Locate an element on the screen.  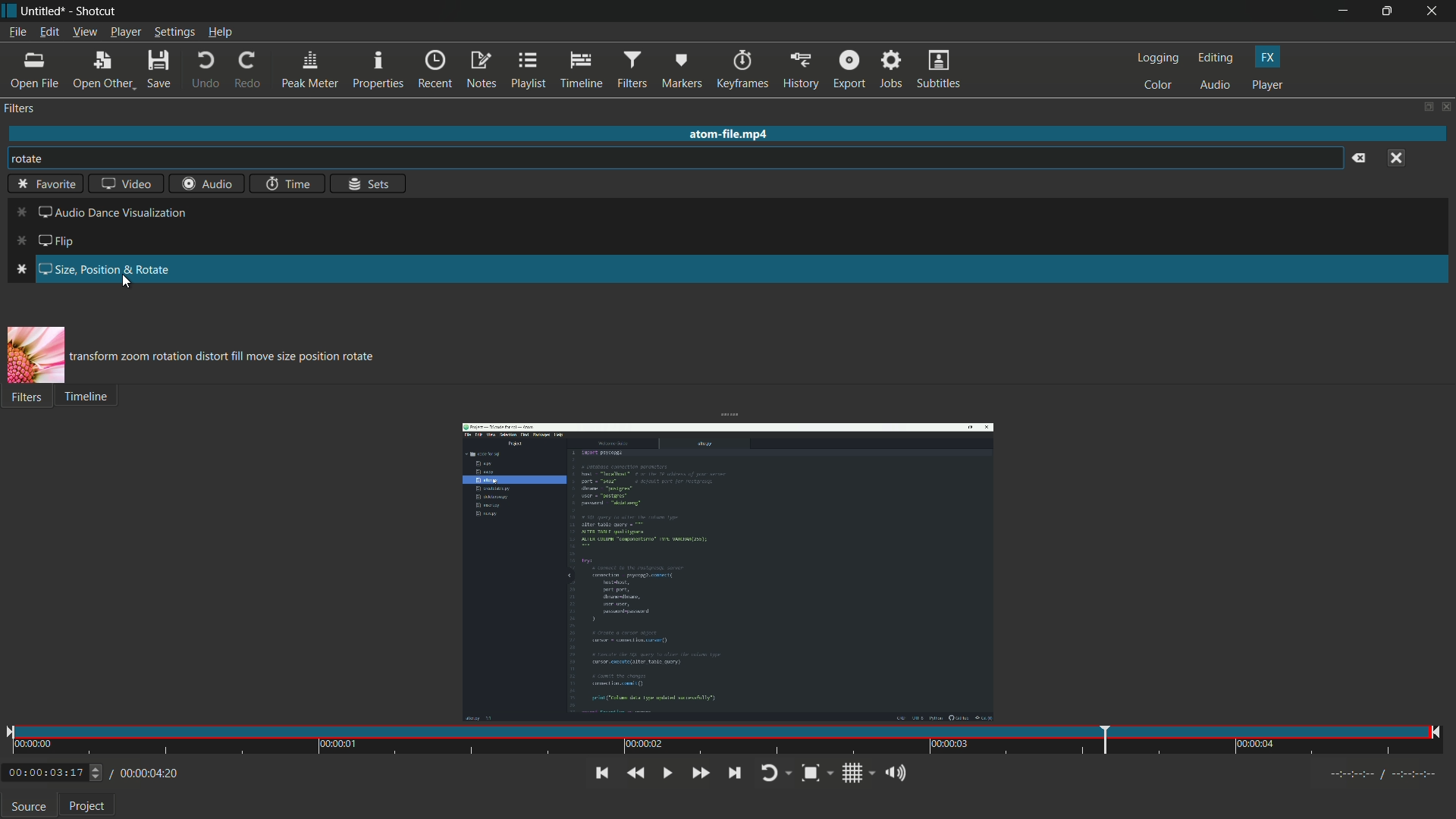
minimize is located at coordinates (1344, 11).